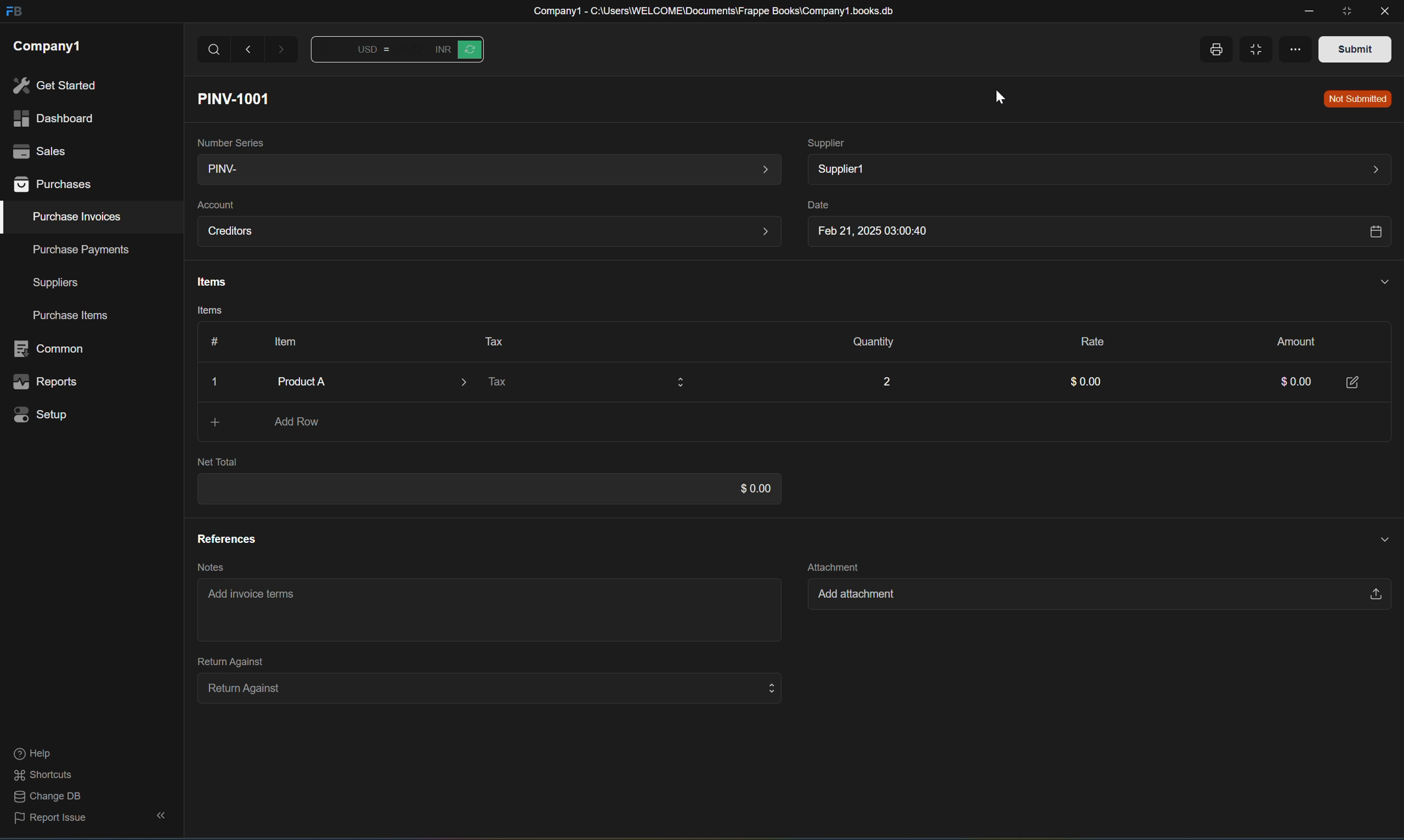  I want to click on Hide, so click(1377, 537).